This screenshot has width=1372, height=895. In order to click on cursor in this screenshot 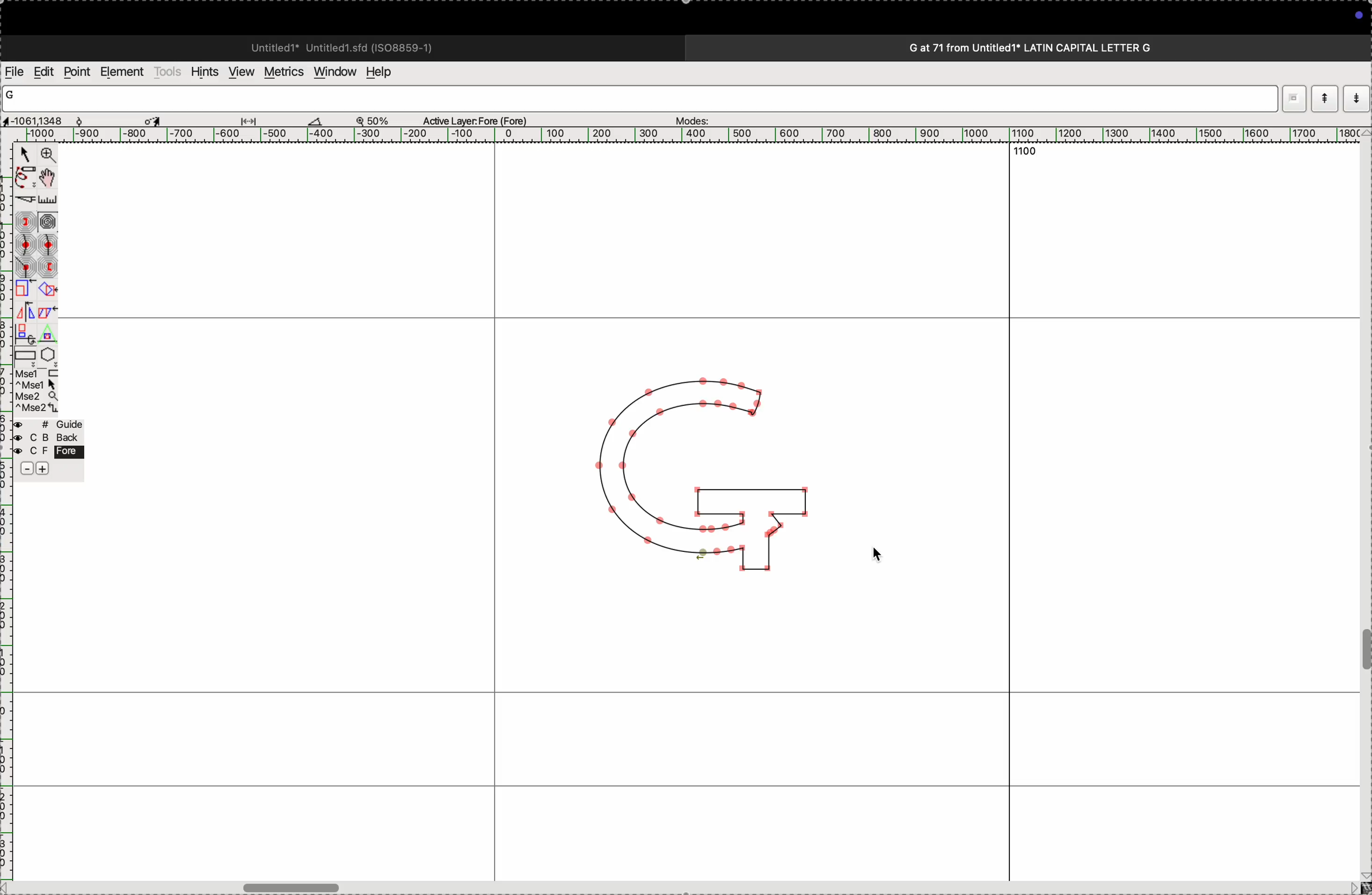, I will do `click(886, 555)`.